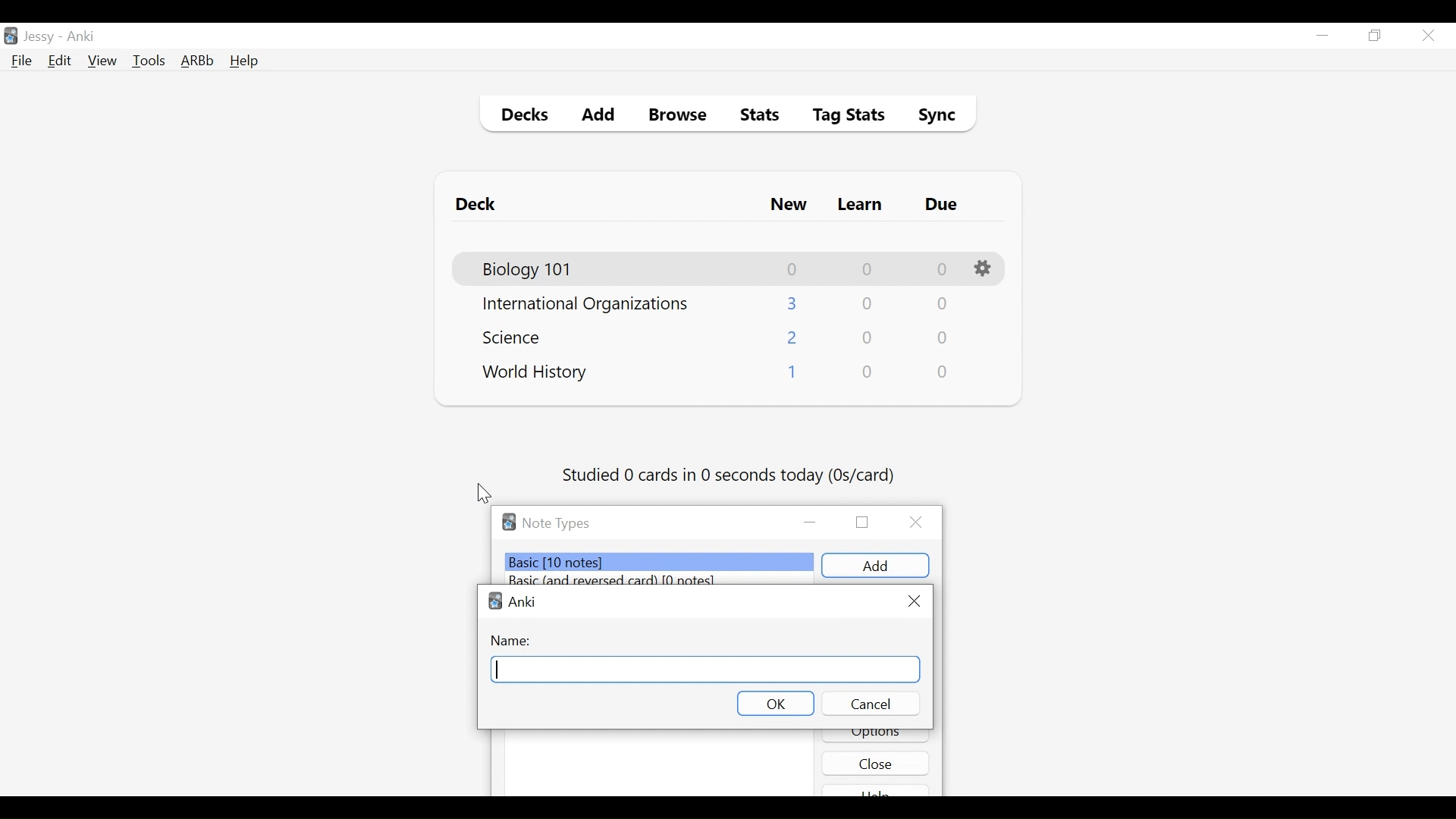 This screenshot has height=819, width=1456. Describe the element at coordinates (789, 206) in the screenshot. I see `New` at that location.